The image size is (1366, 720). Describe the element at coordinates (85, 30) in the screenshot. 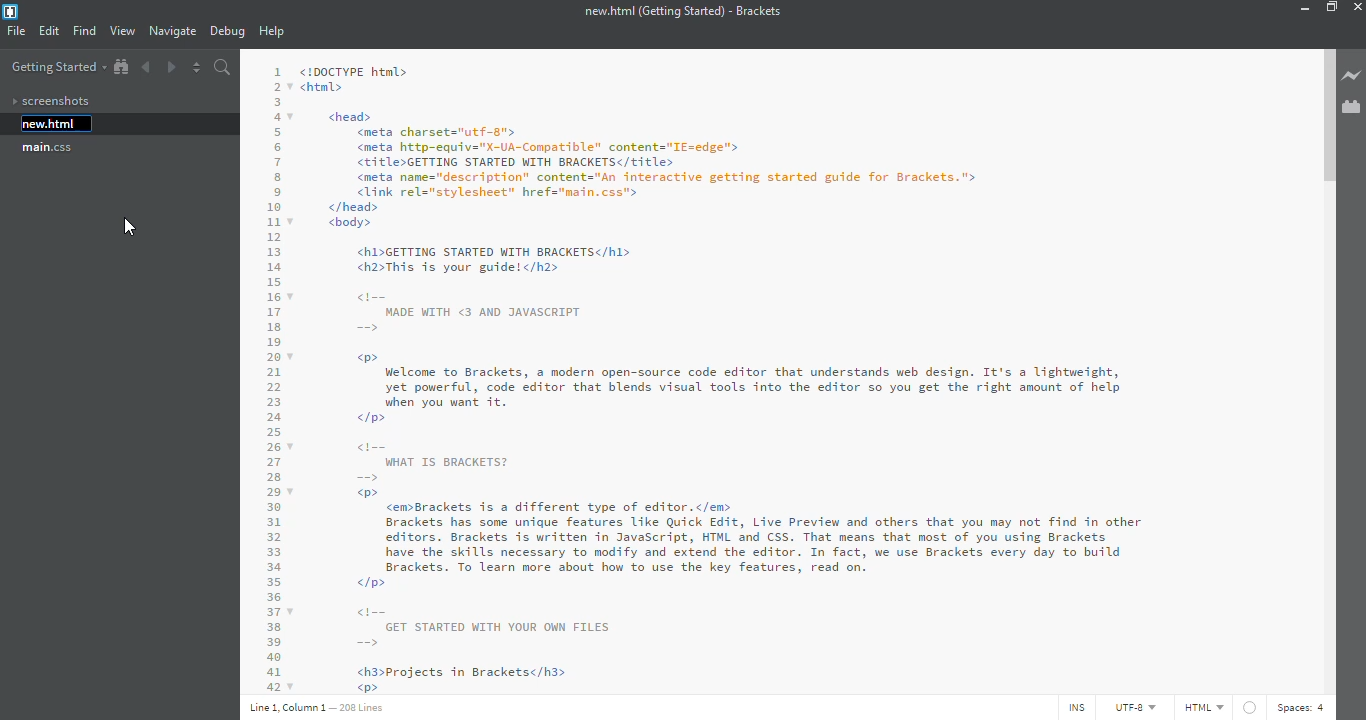

I see `find` at that location.